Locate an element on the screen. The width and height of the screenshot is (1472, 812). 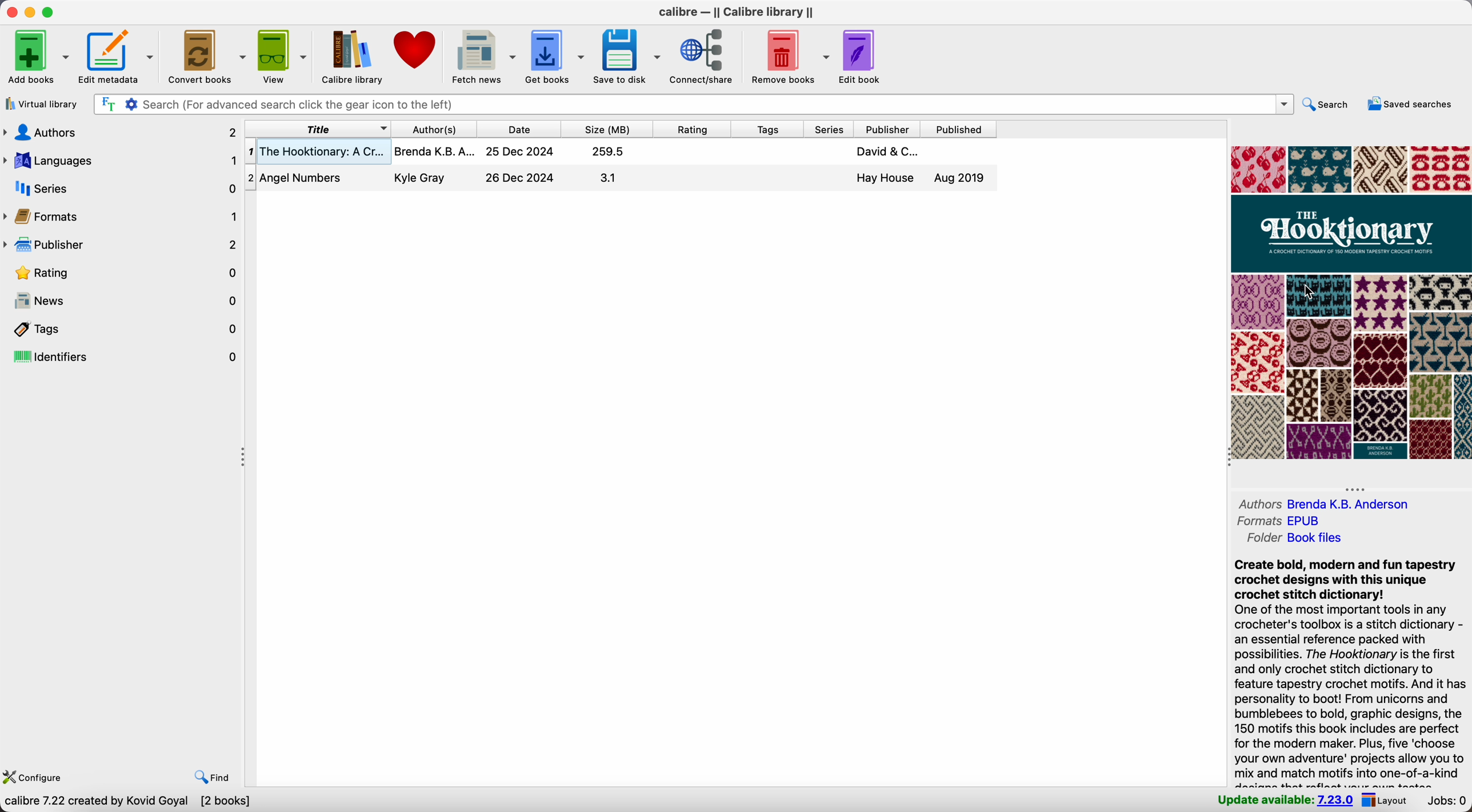
second book is located at coordinates (620, 181).